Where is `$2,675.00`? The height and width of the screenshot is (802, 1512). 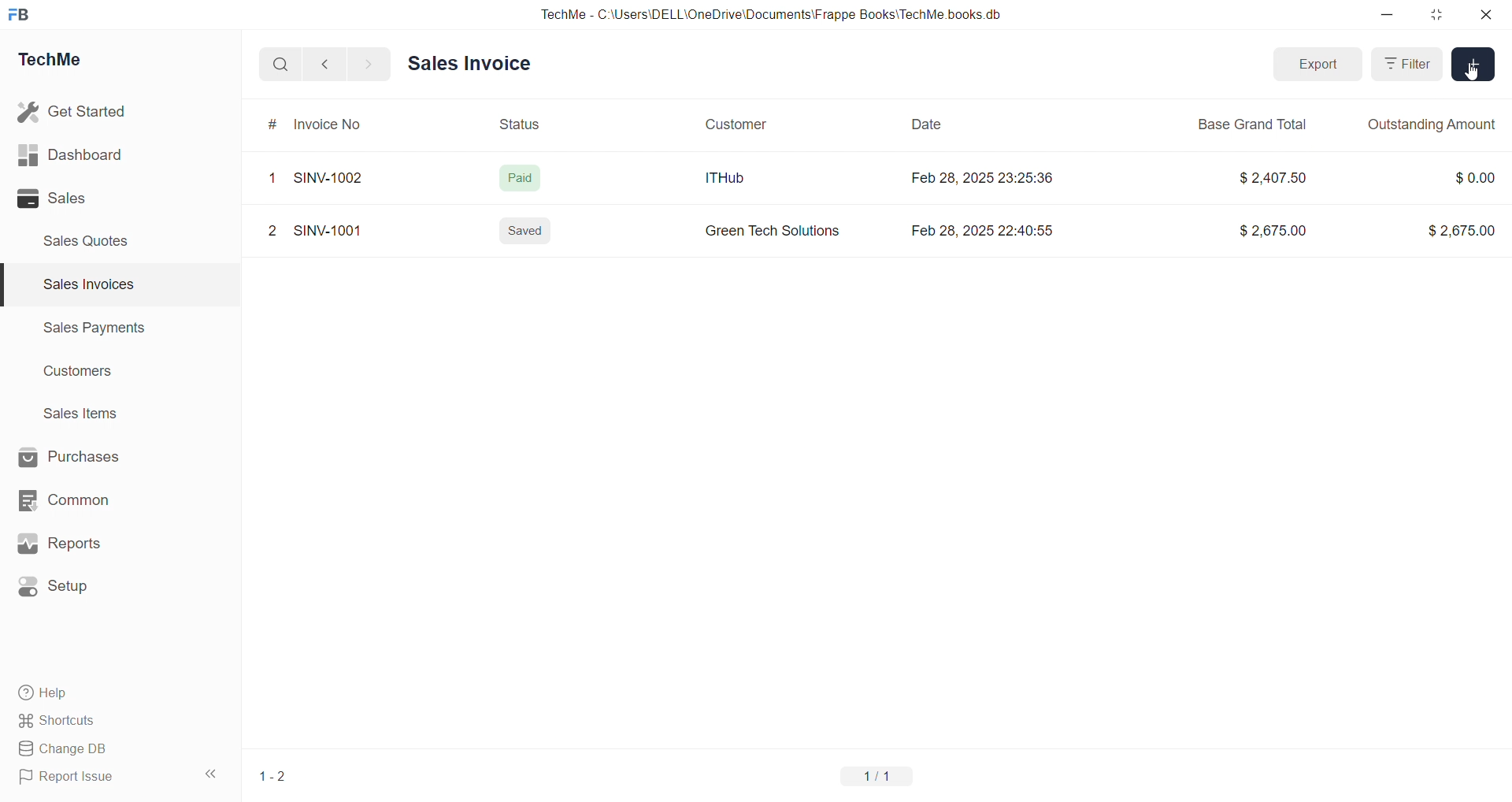
$2,675.00 is located at coordinates (1455, 228).